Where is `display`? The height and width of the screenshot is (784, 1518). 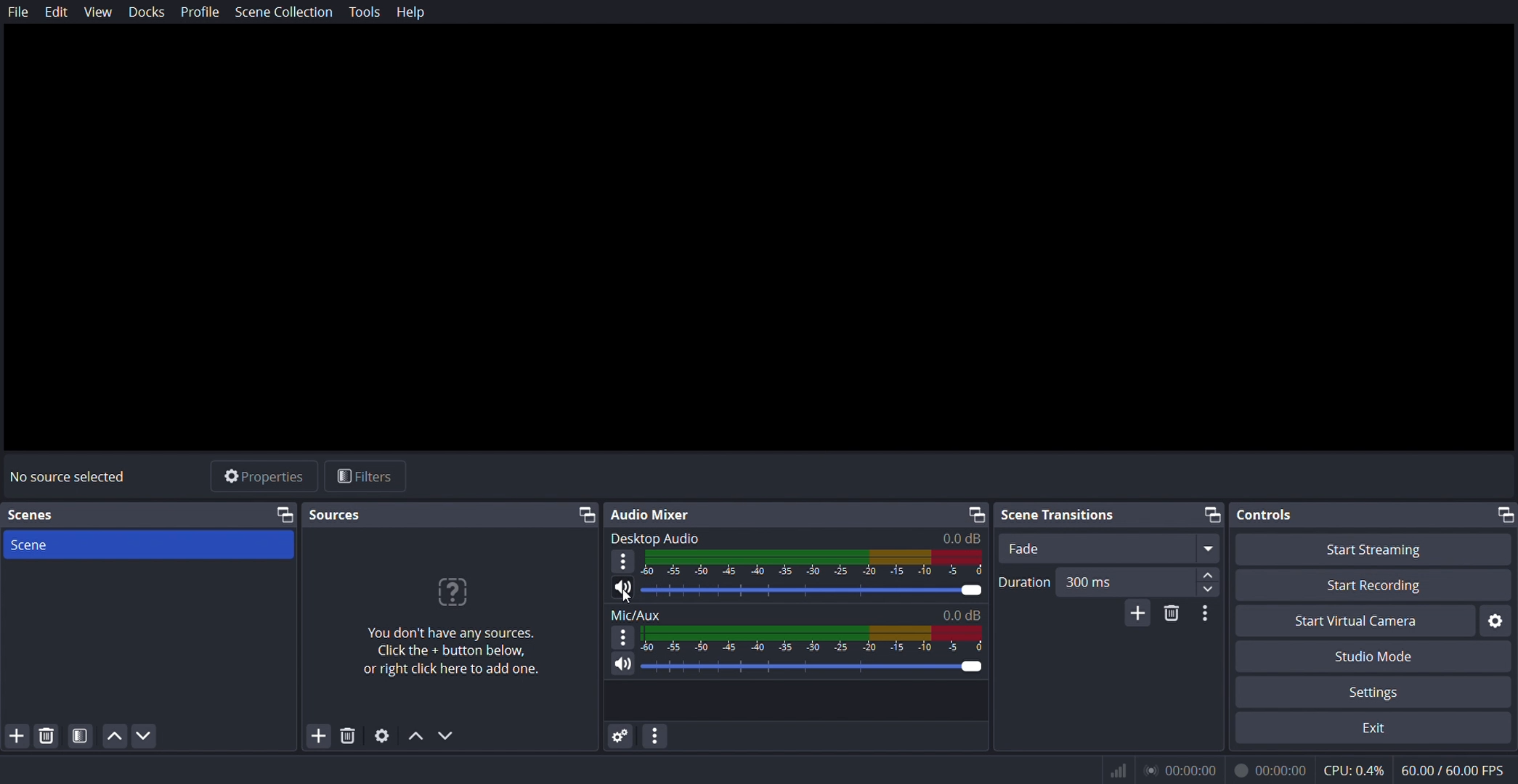 display is located at coordinates (812, 565).